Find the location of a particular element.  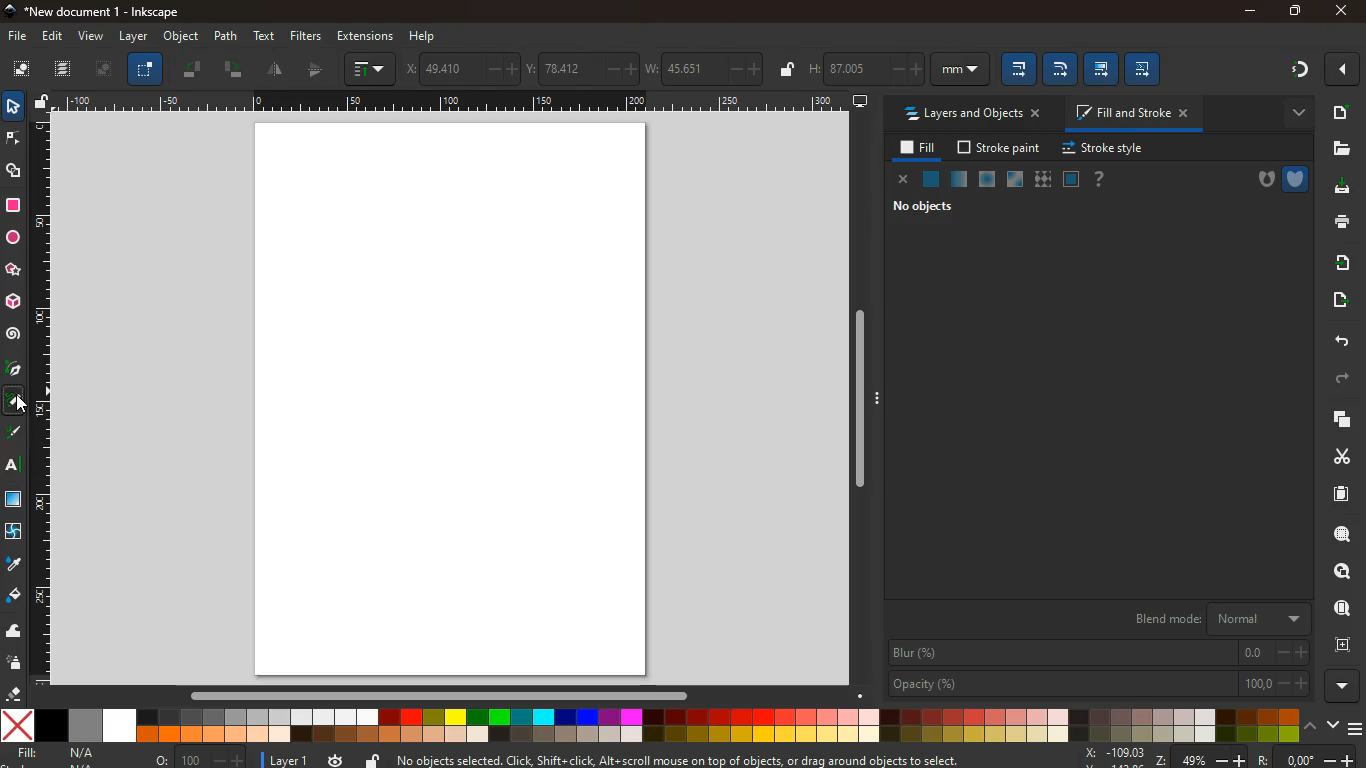

text is located at coordinates (266, 37).